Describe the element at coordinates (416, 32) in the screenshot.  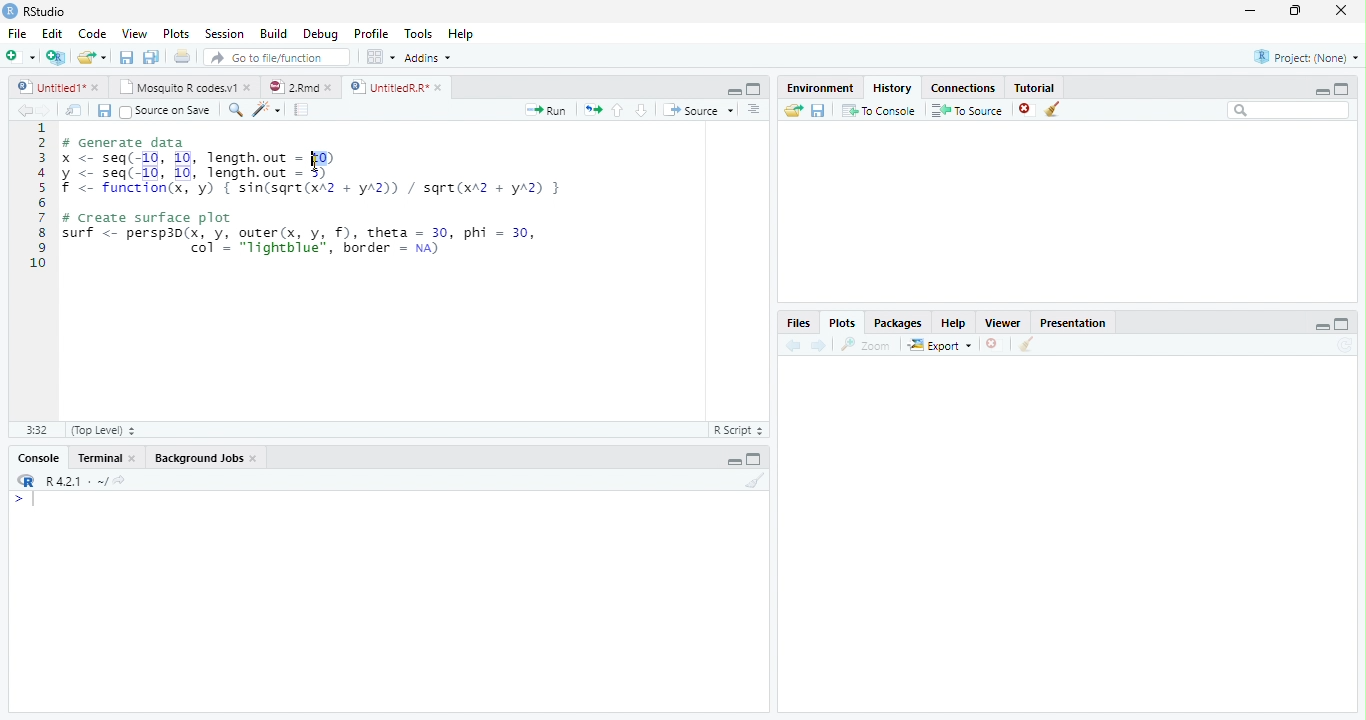
I see `Tools` at that location.